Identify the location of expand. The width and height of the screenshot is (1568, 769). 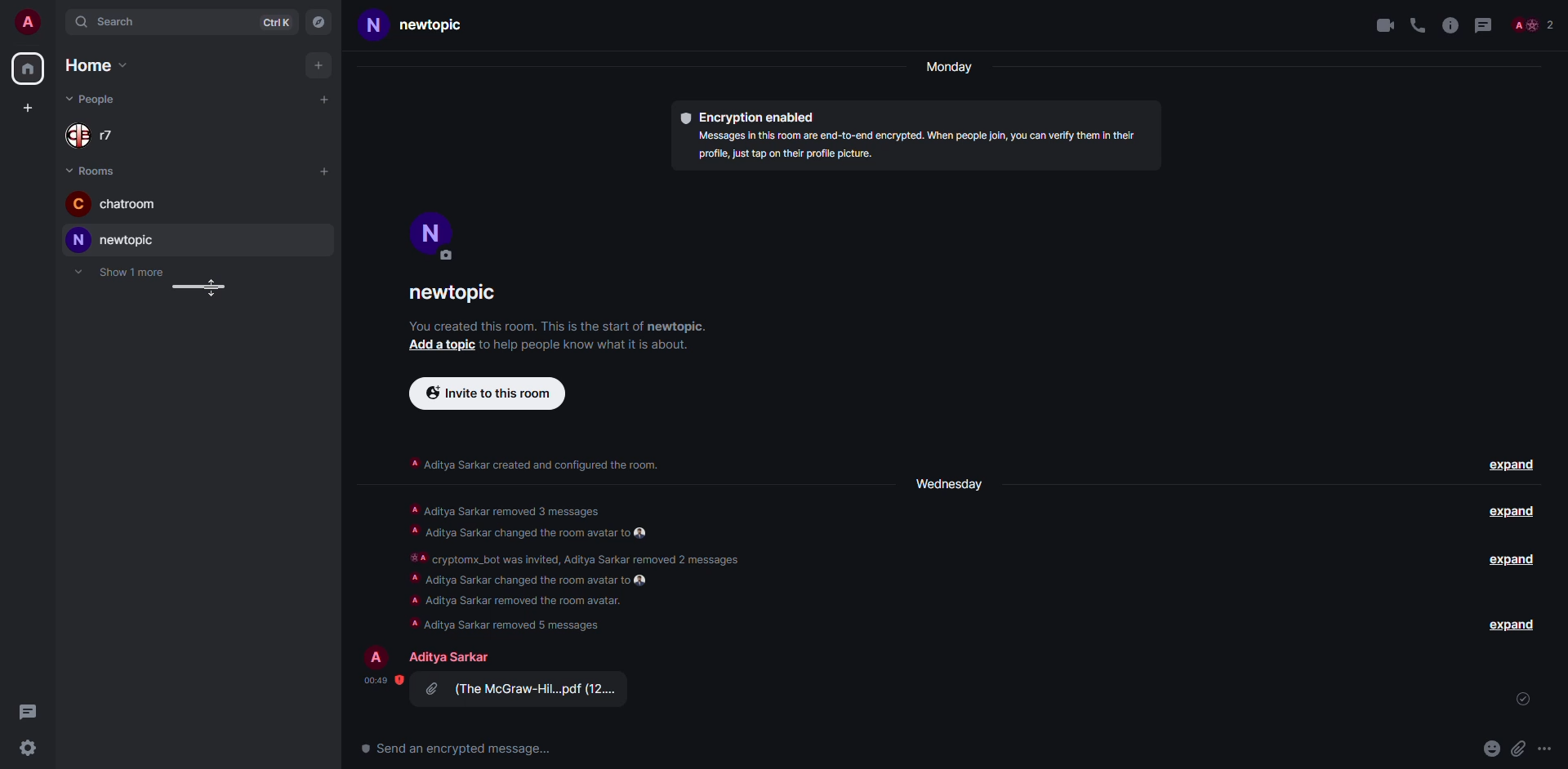
(1512, 624).